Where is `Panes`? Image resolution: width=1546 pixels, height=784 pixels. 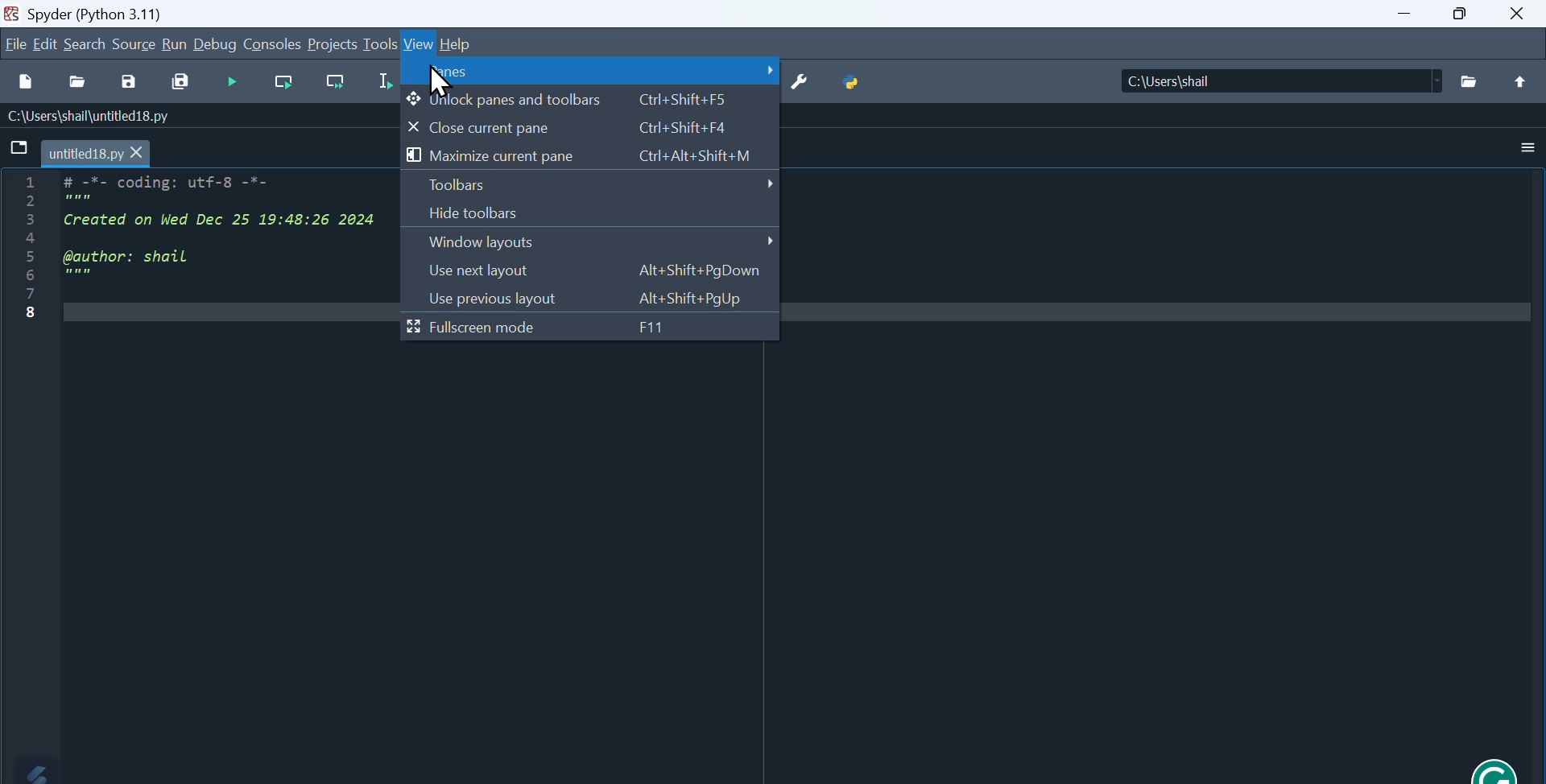
Panes is located at coordinates (594, 72).